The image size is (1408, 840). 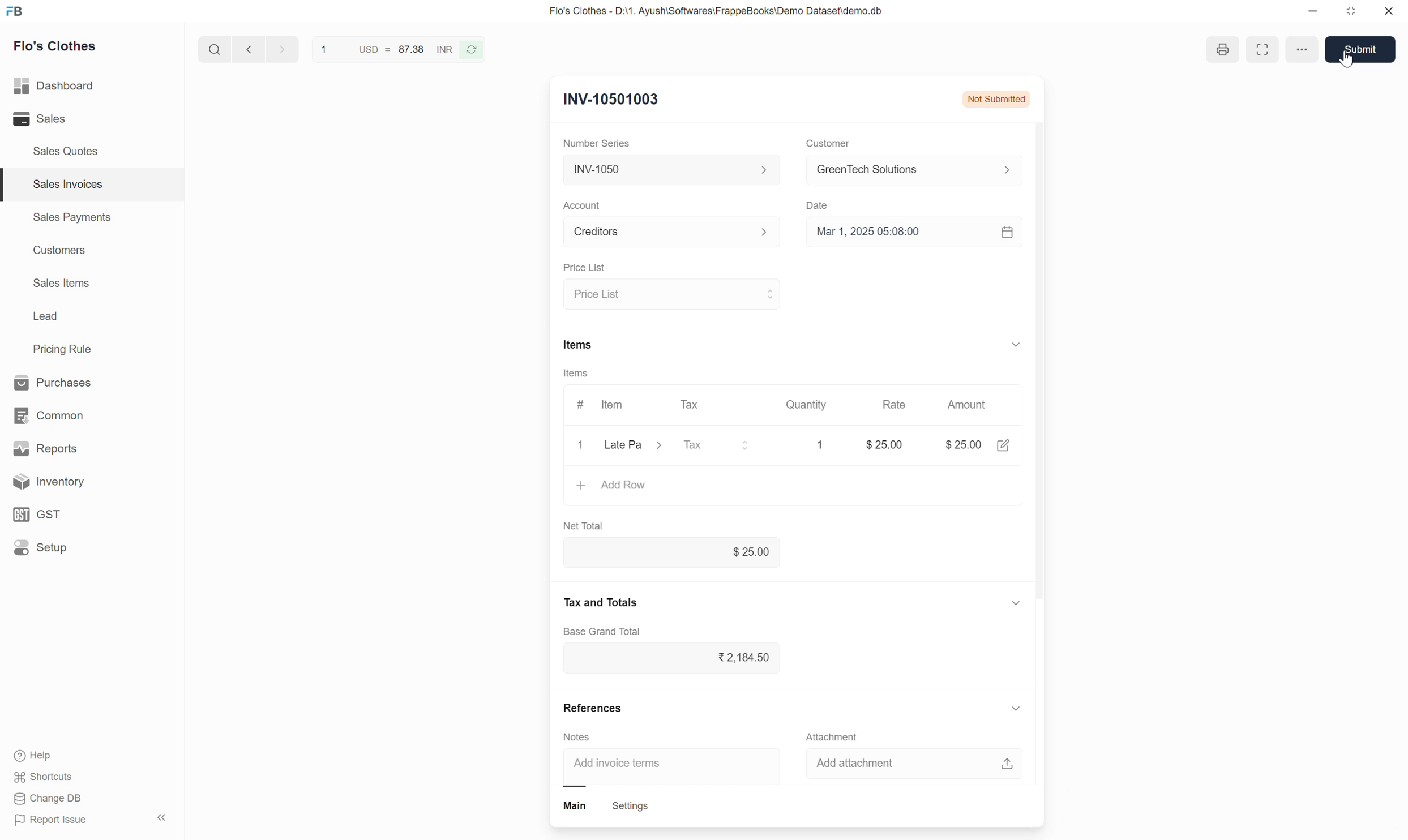 What do you see at coordinates (577, 344) in the screenshot?
I see `Items` at bounding box center [577, 344].